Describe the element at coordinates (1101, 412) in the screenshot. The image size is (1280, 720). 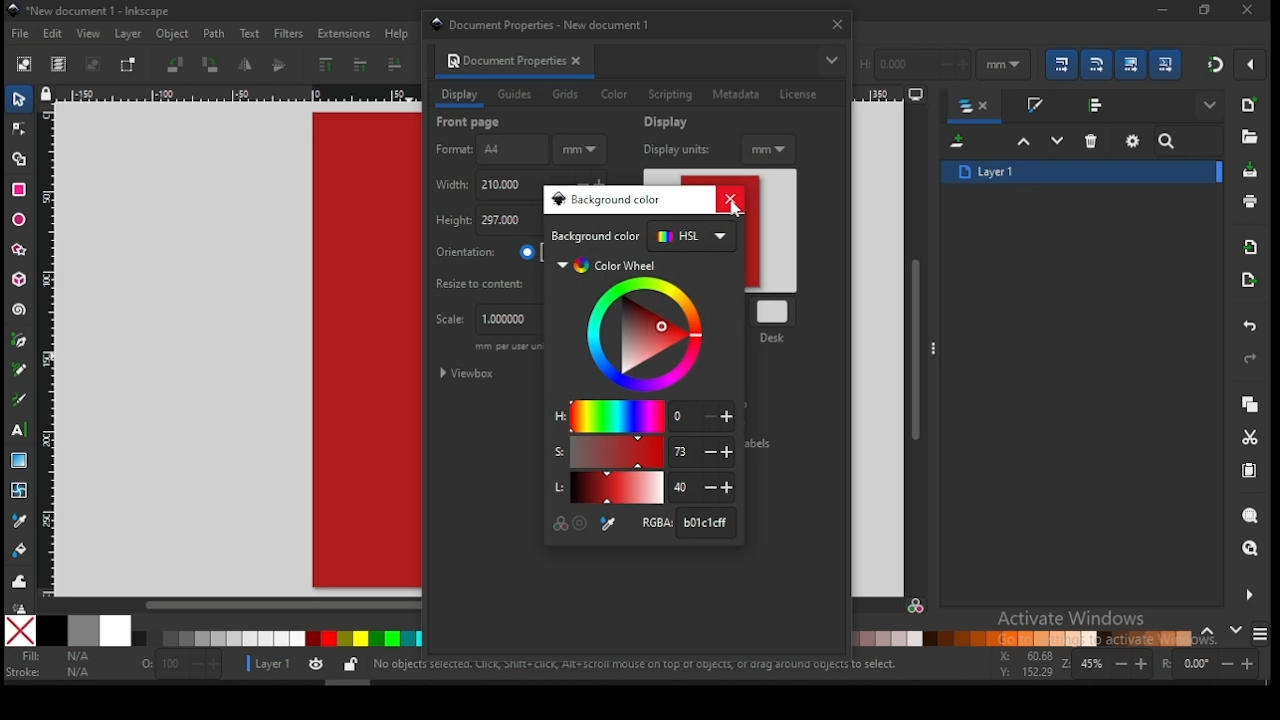
I see `` at that location.